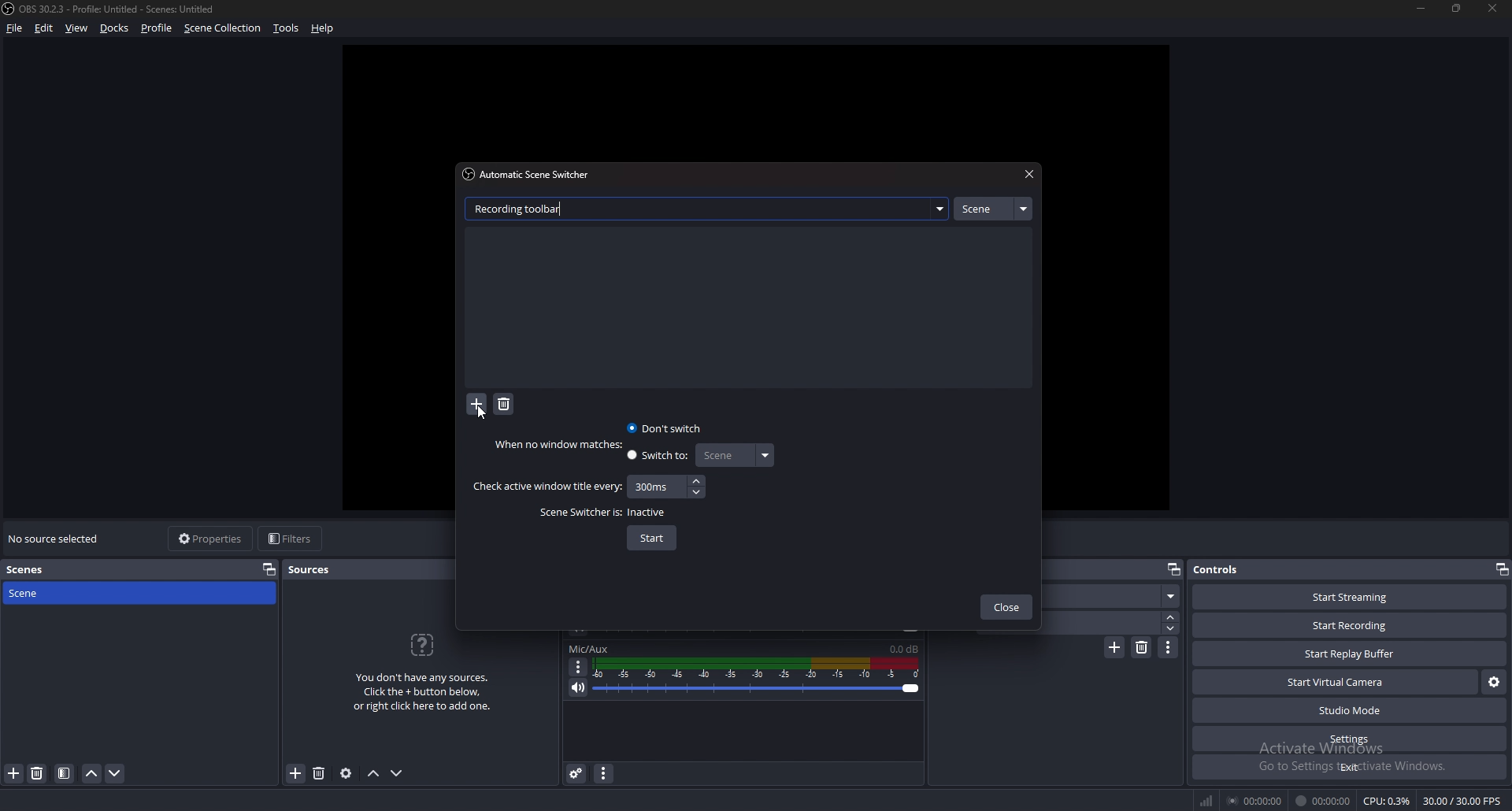  Describe the element at coordinates (733, 455) in the screenshot. I see `scene` at that location.